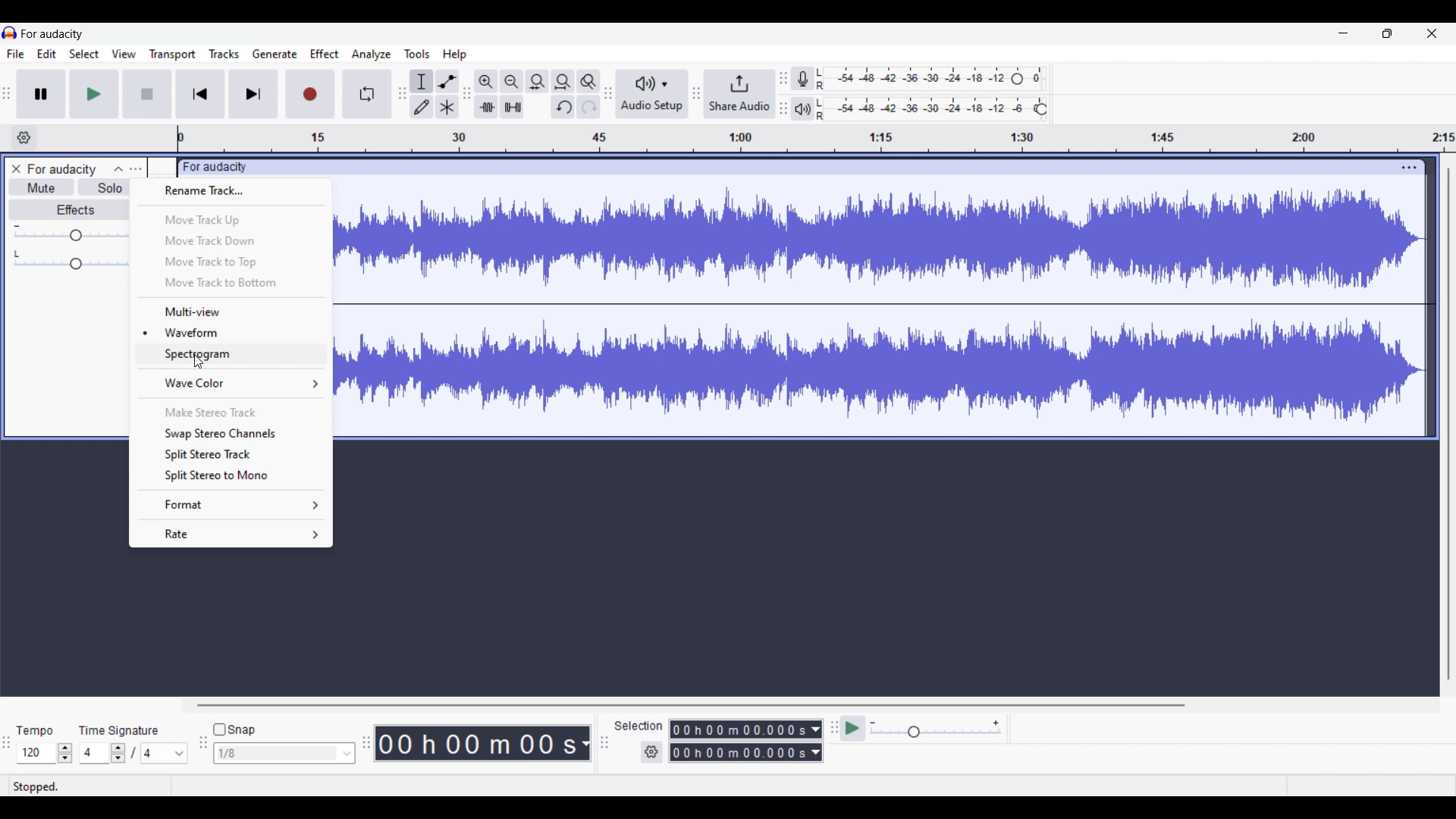 This screenshot has height=819, width=1456. Describe the element at coordinates (136, 169) in the screenshot. I see `Open menu` at that location.